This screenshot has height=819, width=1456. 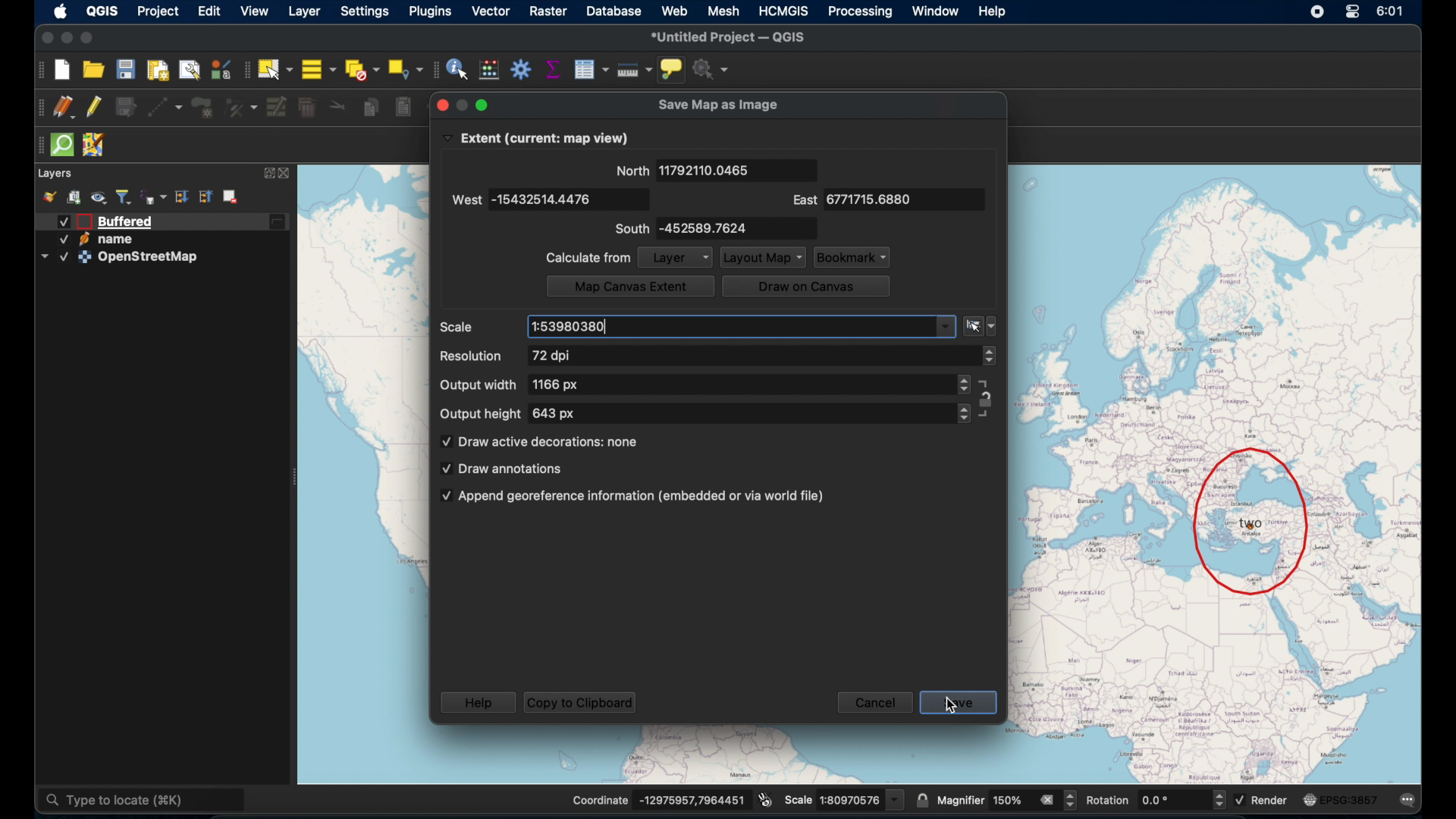 What do you see at coordinates (554, 68) in the screenshot?
I see `show statistical summary` at bounding box center [554, 68].